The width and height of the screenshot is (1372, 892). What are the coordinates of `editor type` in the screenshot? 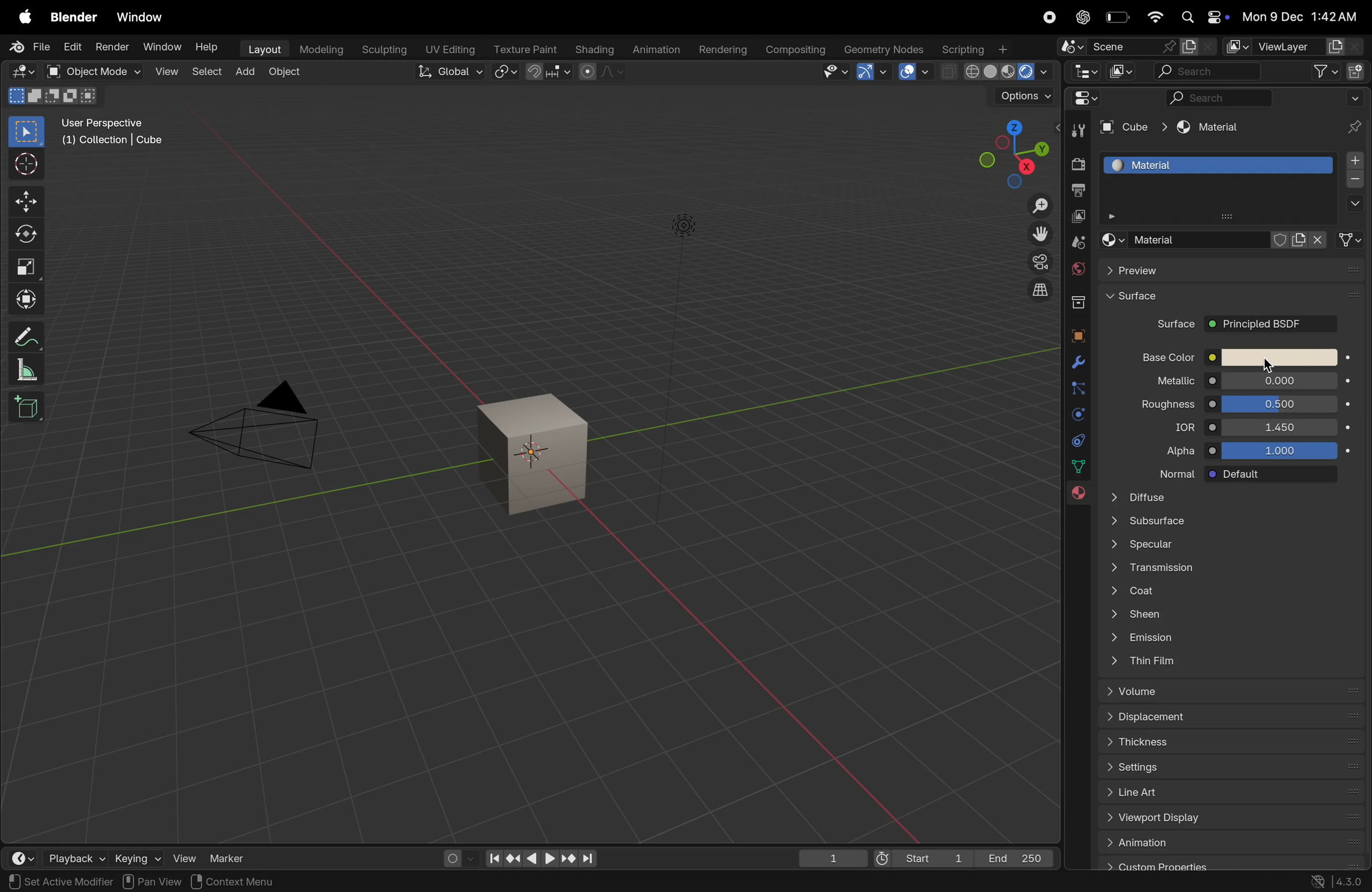 It's located at (1081, 98).